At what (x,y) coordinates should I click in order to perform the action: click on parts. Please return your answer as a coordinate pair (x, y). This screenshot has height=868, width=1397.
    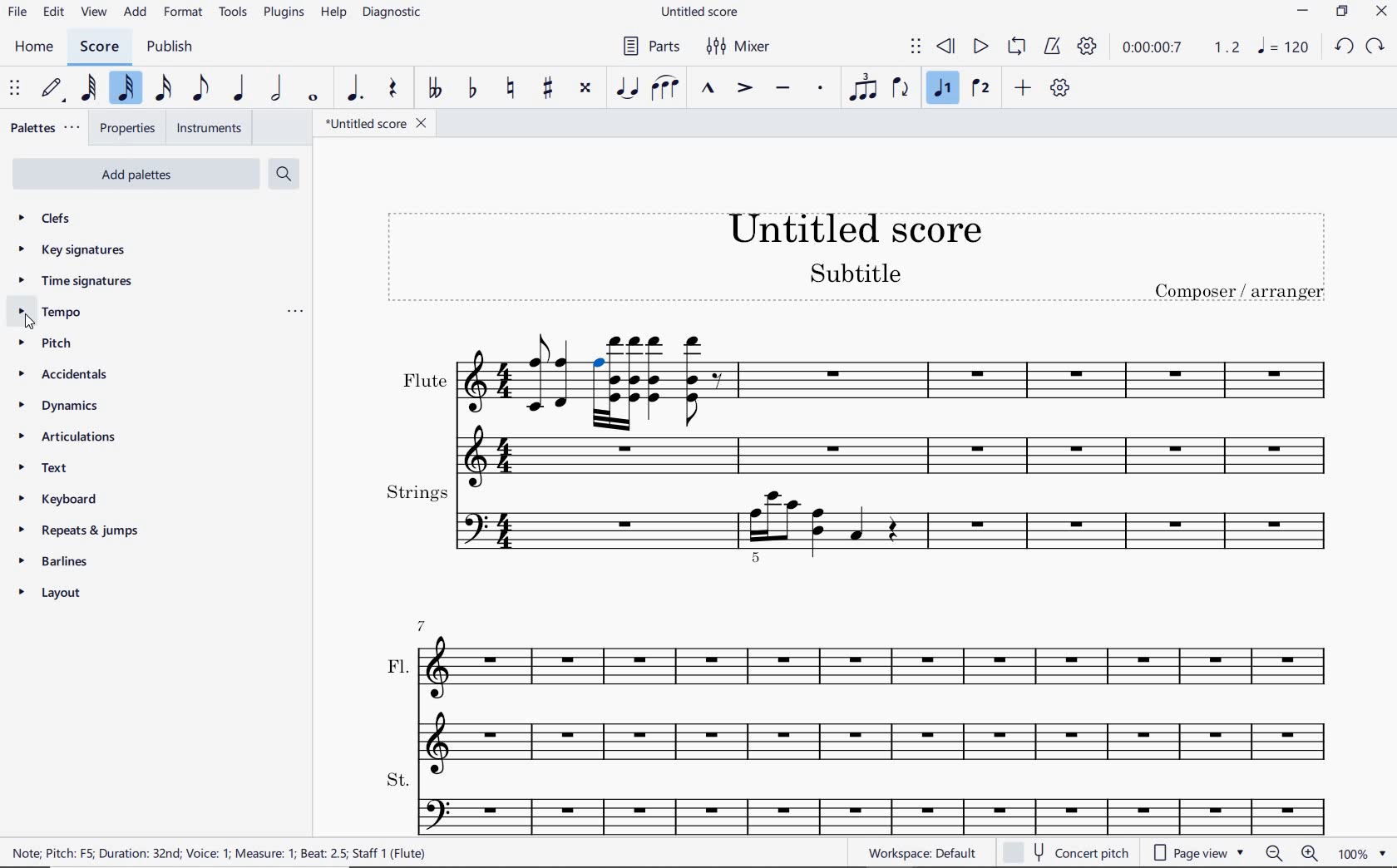
    Looking at the image, I should click on (654, 49).